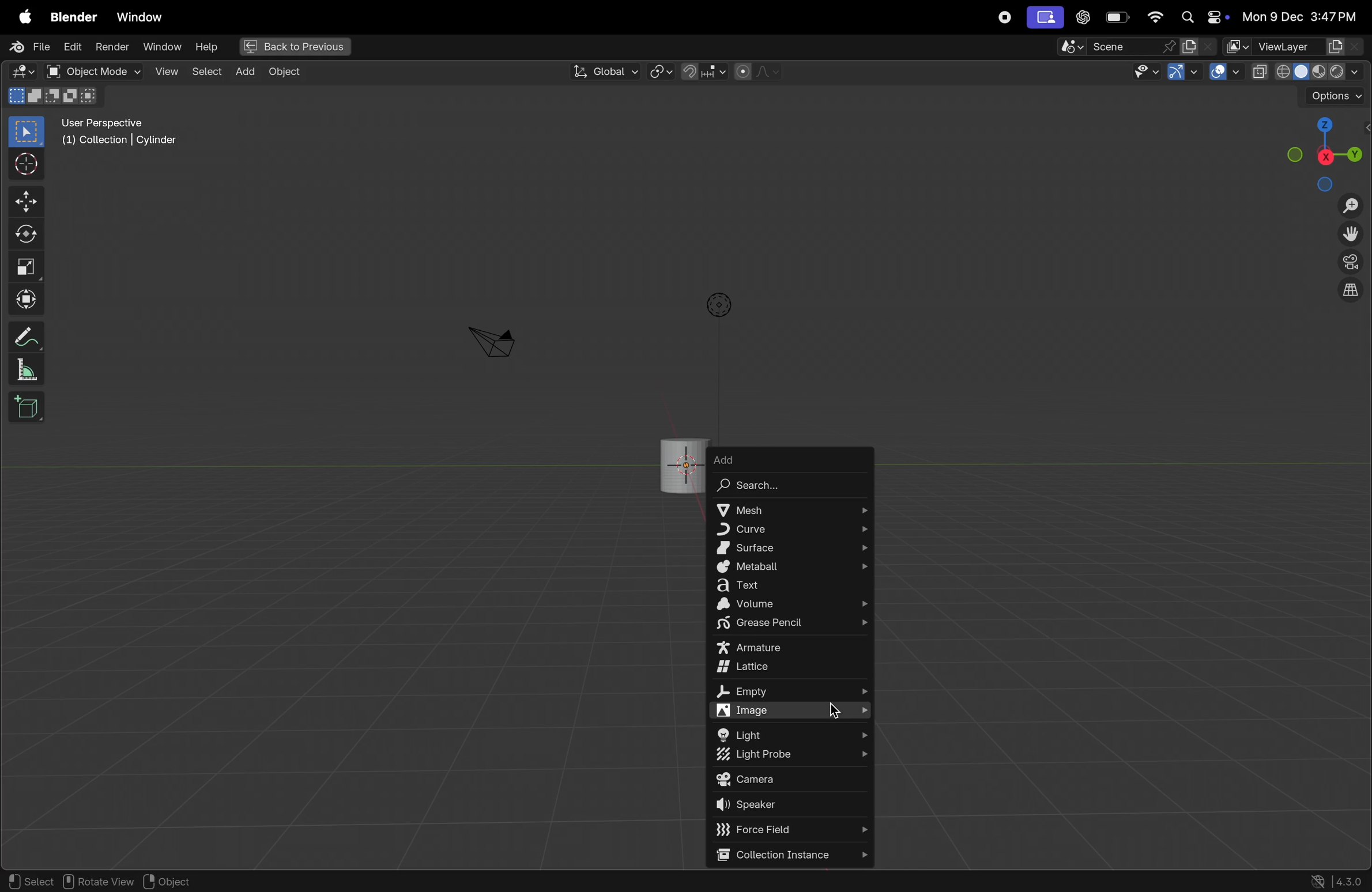 The height and width of the screenshot is (892, 1372). Describe the element at coordinates (492, 341) in the screenshot. I see `camera` at that location.